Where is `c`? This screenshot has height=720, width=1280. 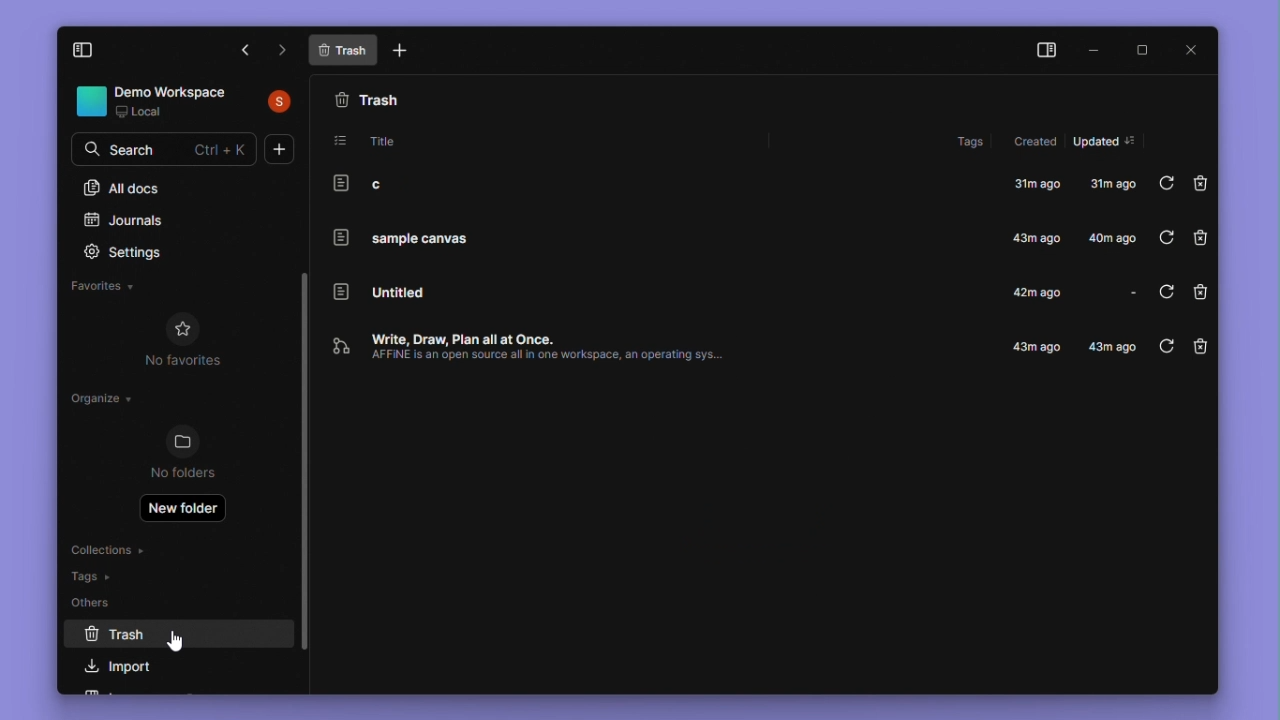 c is located at coordinates (364, 183).